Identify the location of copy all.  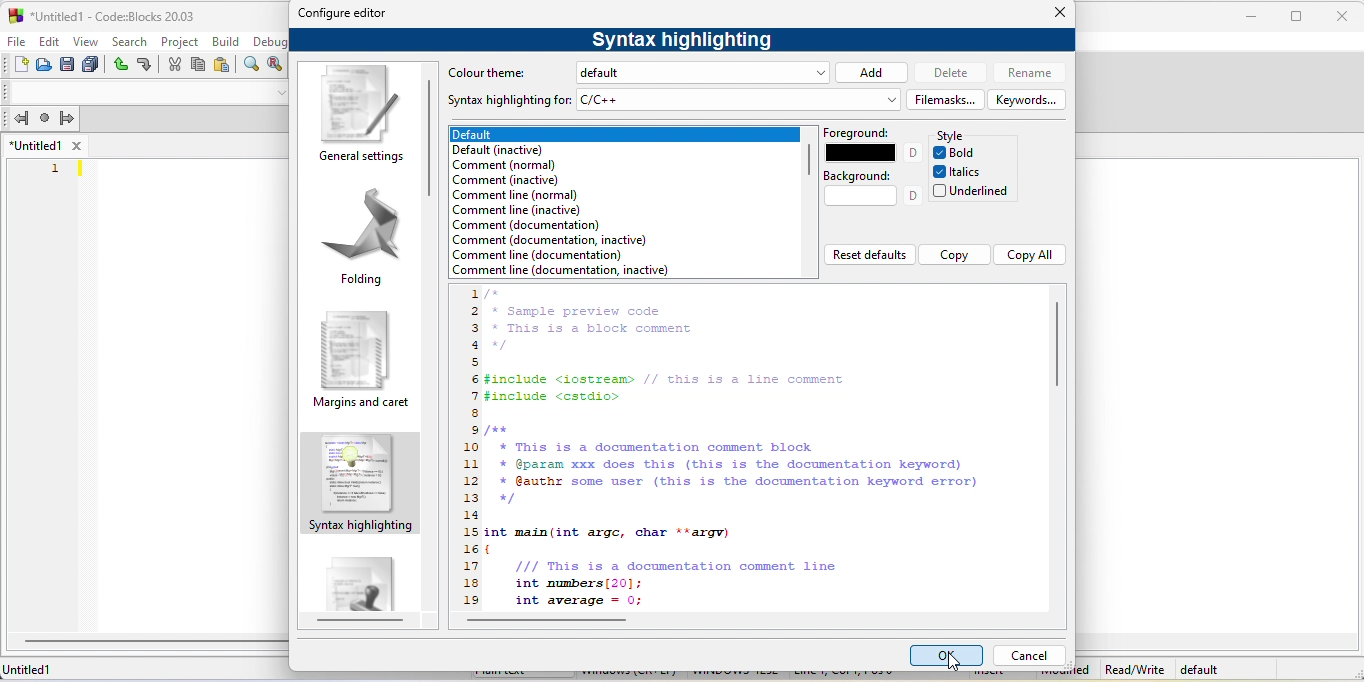
(1029, 255).